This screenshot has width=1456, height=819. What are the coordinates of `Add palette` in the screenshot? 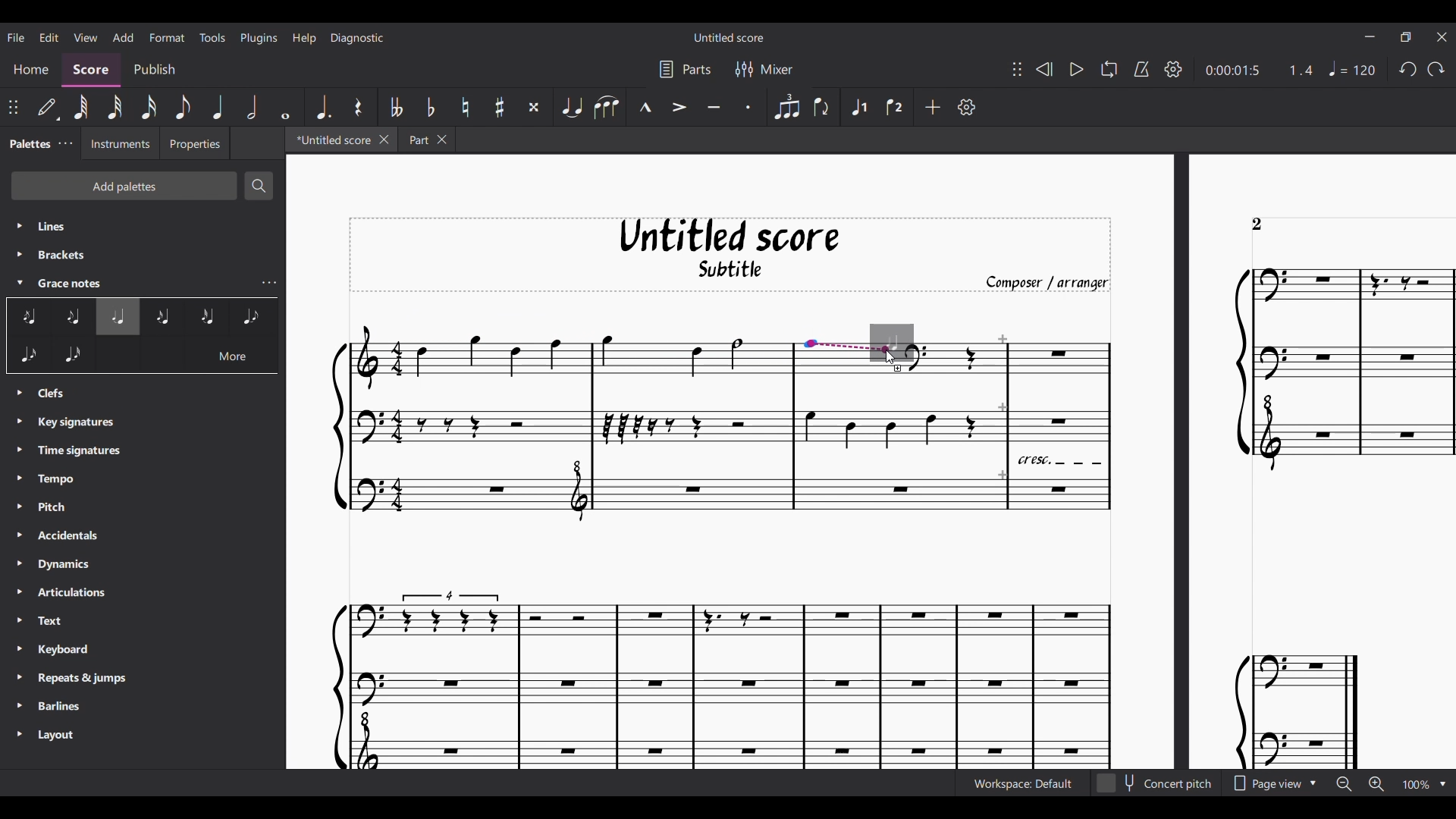 It's located at (124, 186).